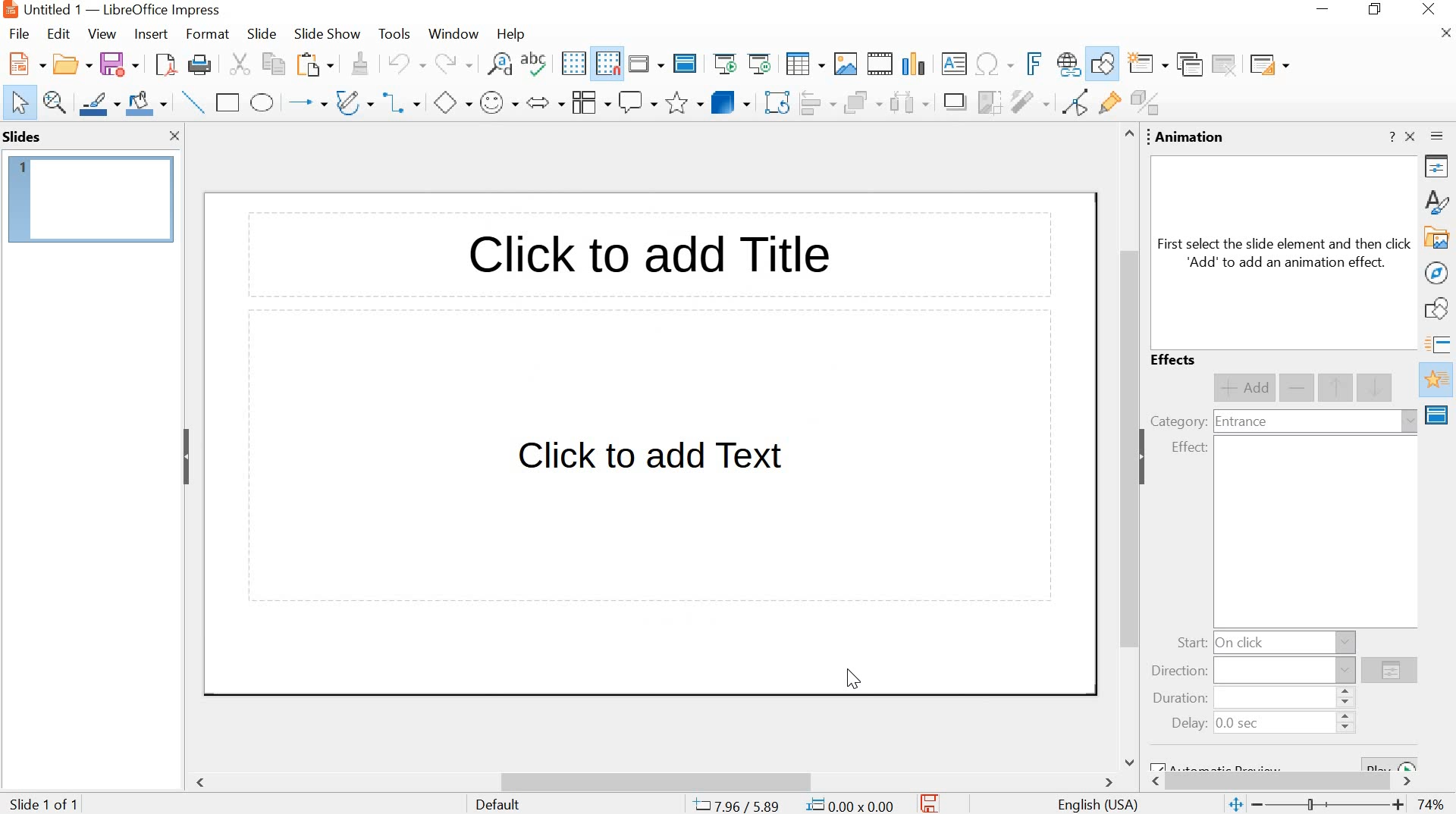 This screenshot has width=1456, height=814. I want to click on spelling, so click(538, 66).